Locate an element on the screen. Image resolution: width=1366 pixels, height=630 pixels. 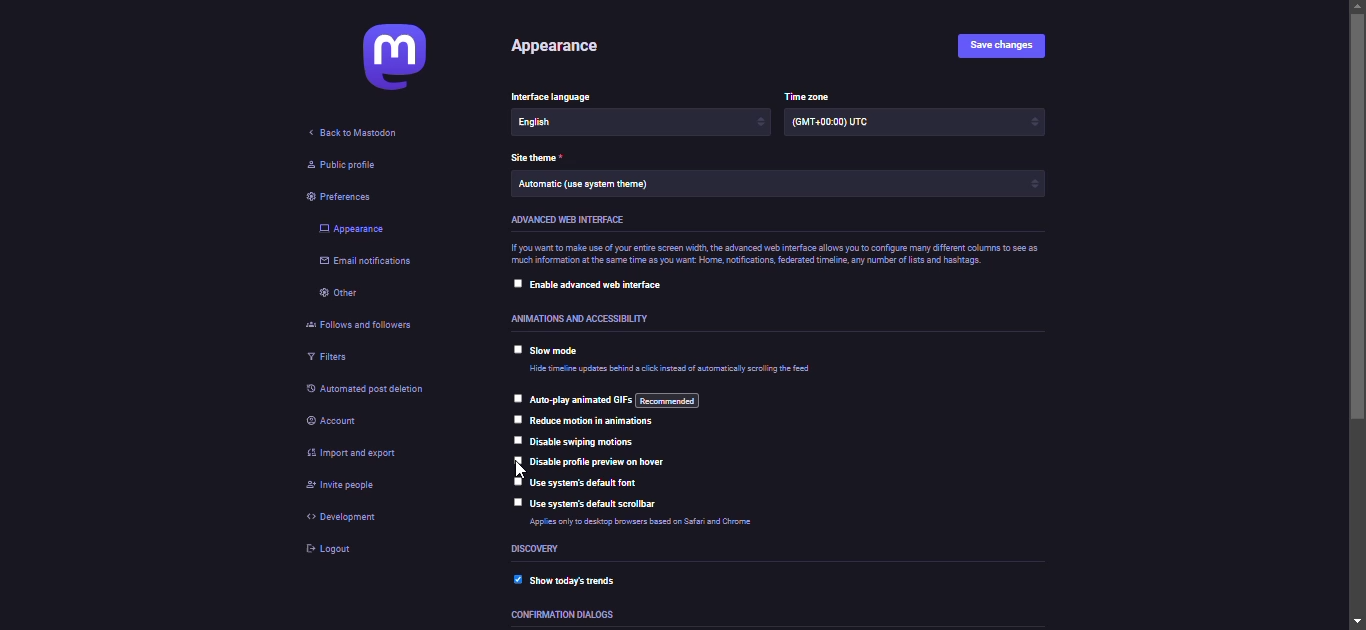
reduce motion in animations is located at coordinates (597, 422).